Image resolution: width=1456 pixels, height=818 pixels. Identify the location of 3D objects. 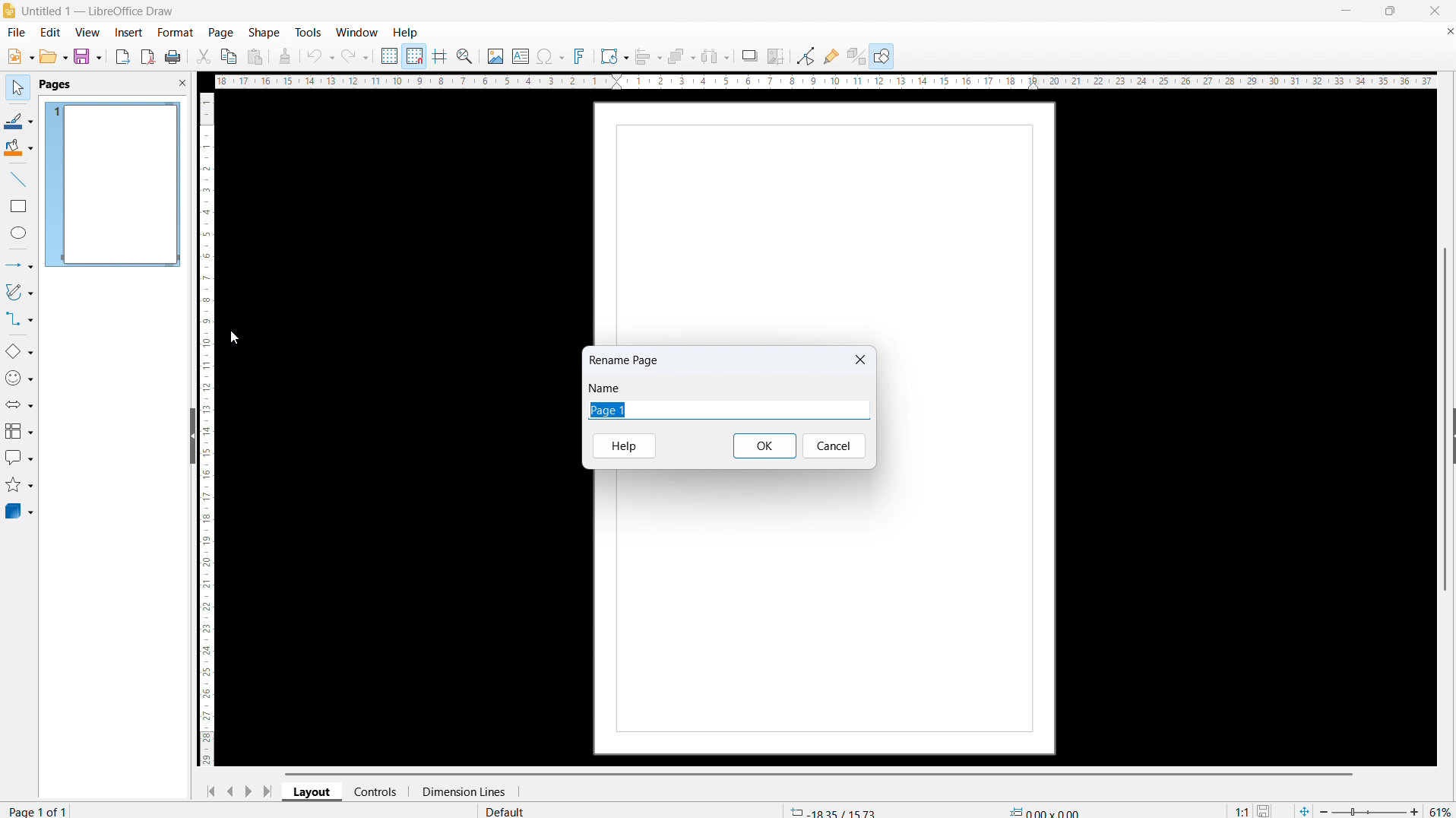
(20, 511).